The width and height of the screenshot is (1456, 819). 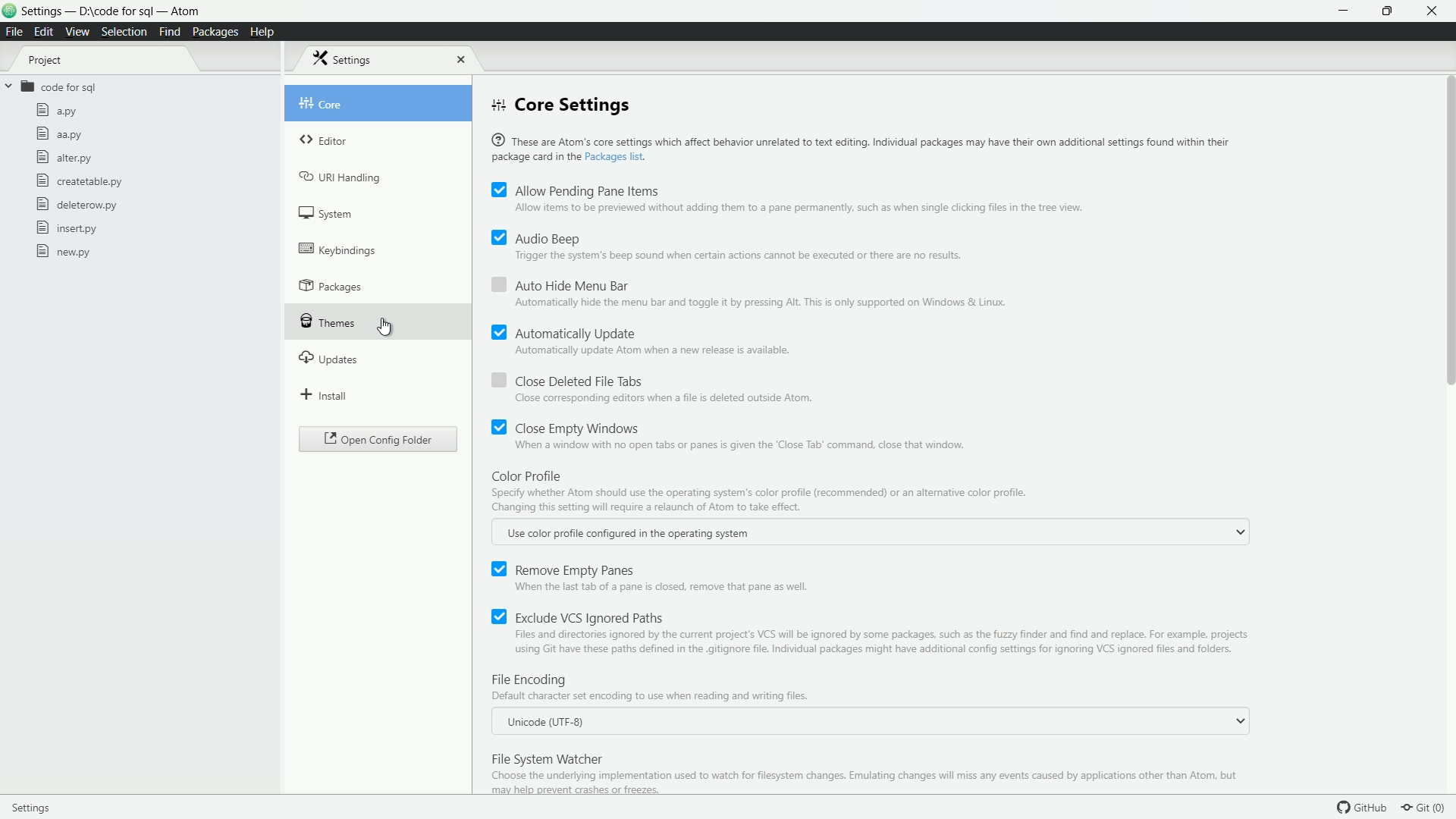 What do you see at coordinates (561, 105) in the screenshot?
I see `core settings` at bounding box center [561, 105].